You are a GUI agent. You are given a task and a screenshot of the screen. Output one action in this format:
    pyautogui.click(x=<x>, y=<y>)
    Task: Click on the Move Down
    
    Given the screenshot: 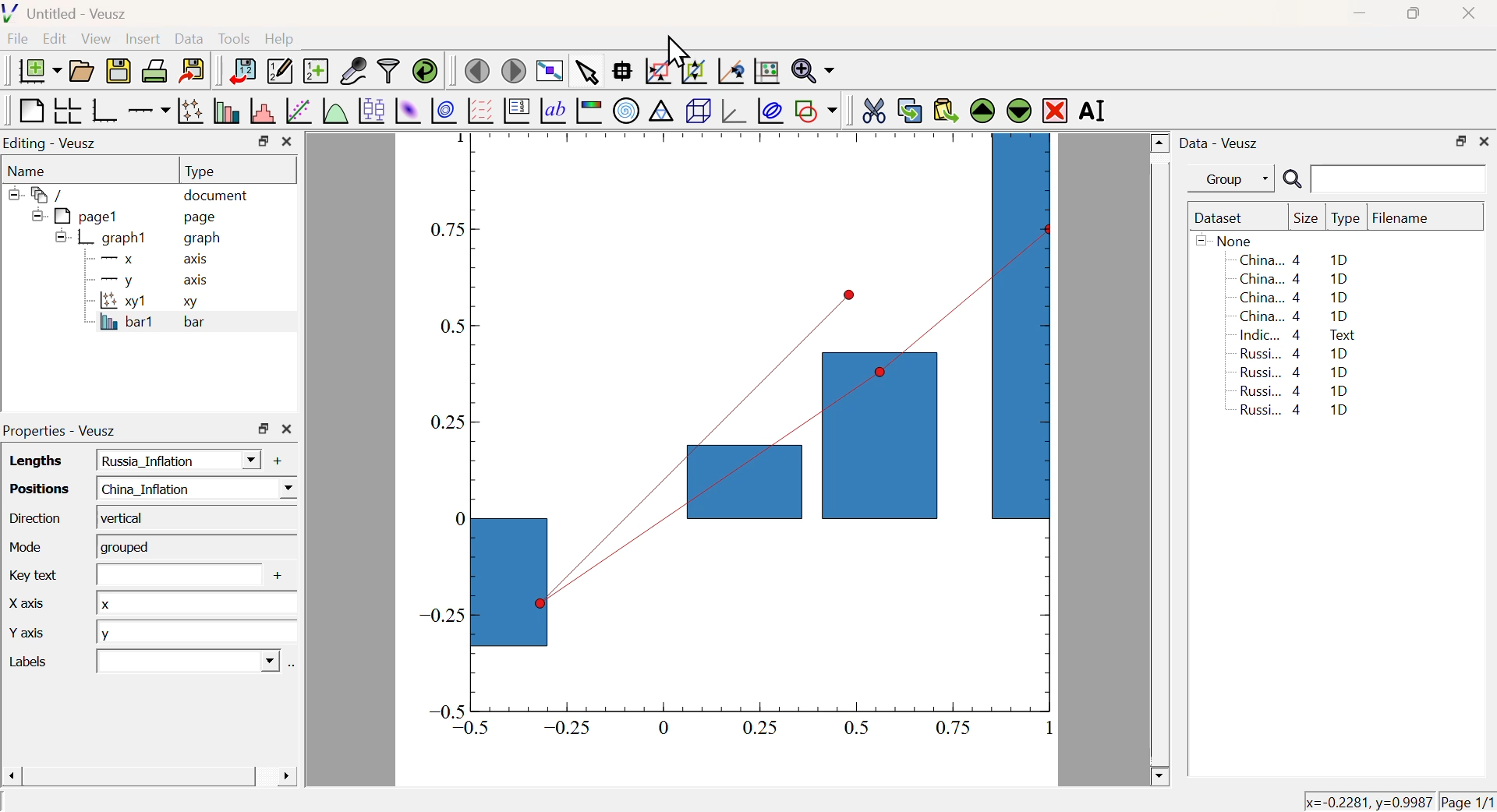 What is the action you would take?
    pyautogui.click(x=1018, y=110)
    